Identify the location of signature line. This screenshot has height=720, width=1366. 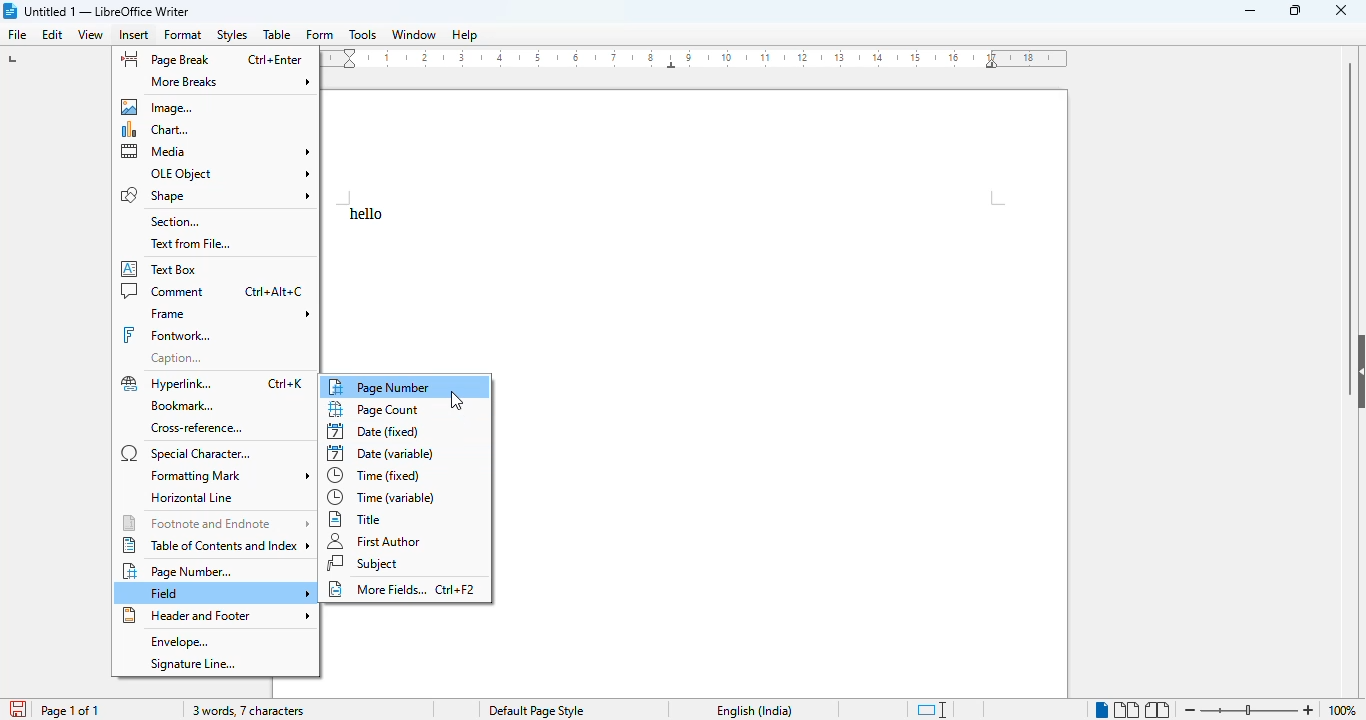
(196, 665).